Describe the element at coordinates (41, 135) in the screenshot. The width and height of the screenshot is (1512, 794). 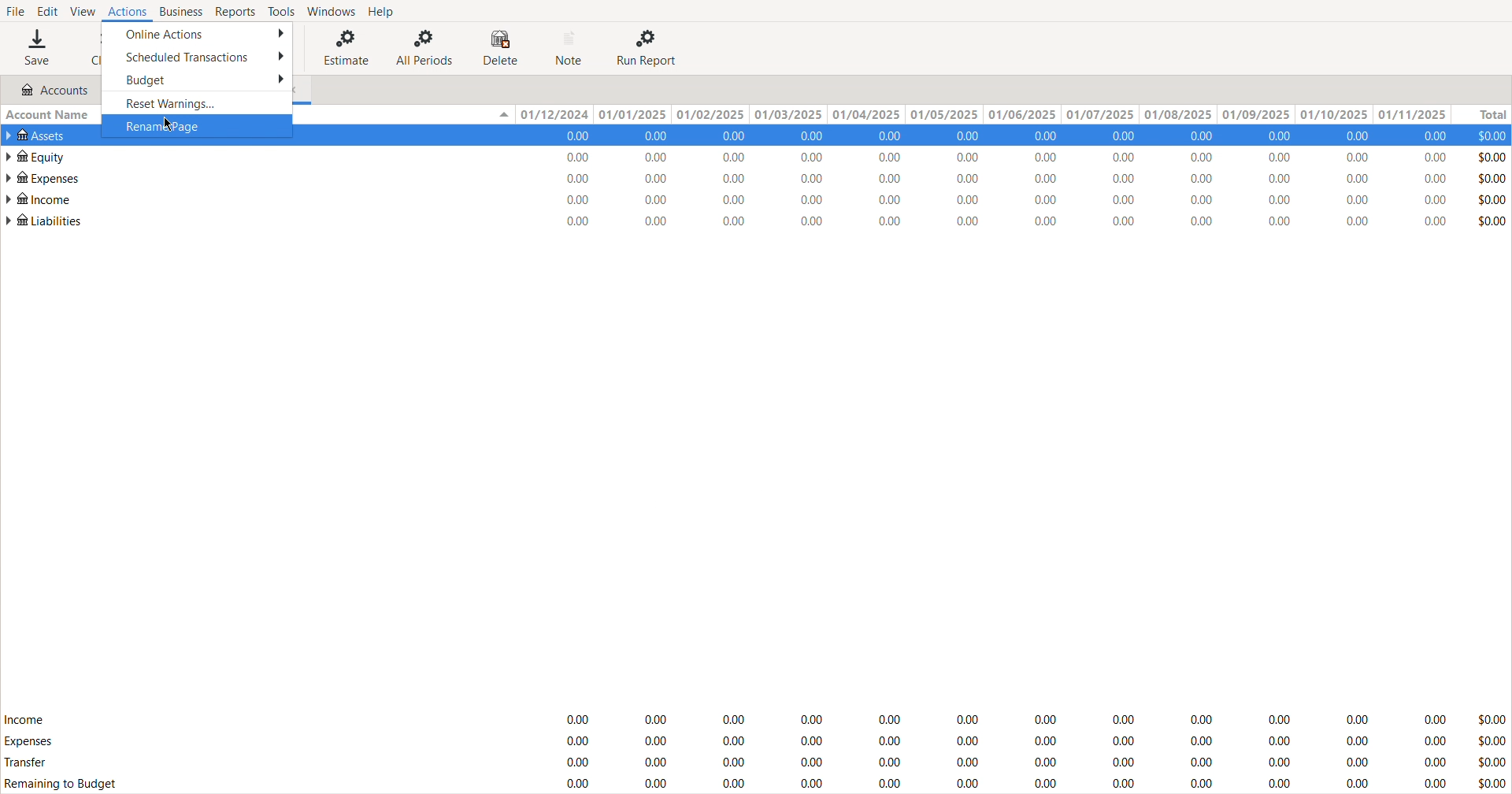
I see `Assets` at that location.